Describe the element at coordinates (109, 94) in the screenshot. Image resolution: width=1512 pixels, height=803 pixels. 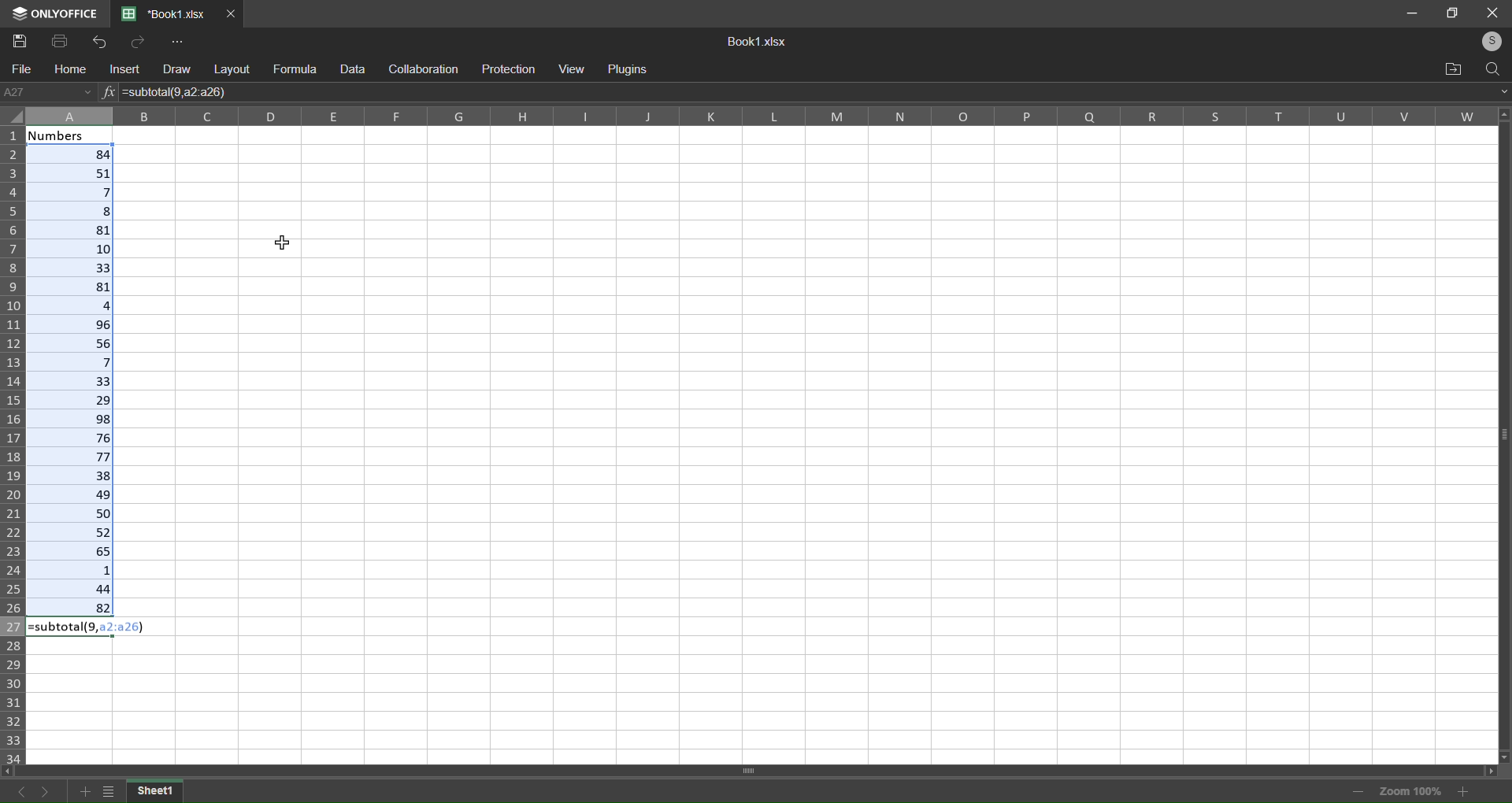
I see `Insert Function` at that location.